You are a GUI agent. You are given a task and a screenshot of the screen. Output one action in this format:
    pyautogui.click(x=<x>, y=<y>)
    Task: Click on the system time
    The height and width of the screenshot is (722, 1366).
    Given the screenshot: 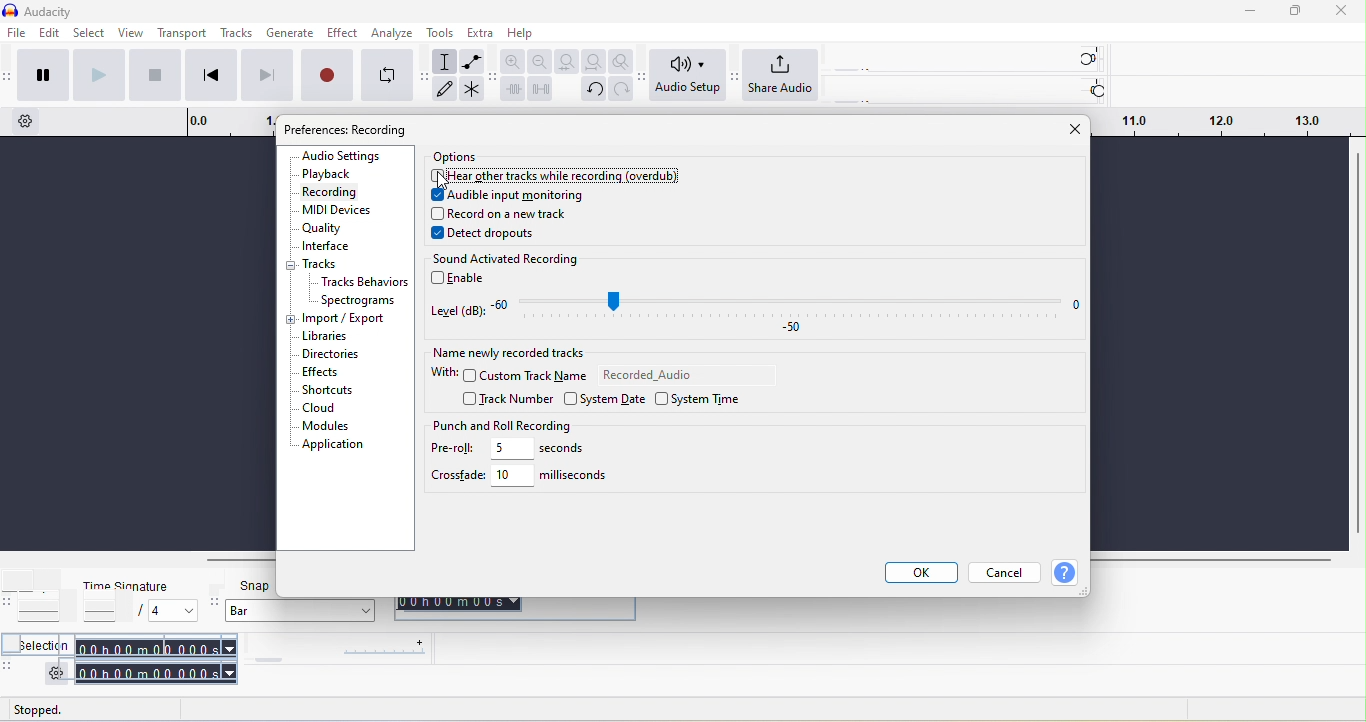 What is the action you would take?
    pyautogui.click(x=701, y=399)
    